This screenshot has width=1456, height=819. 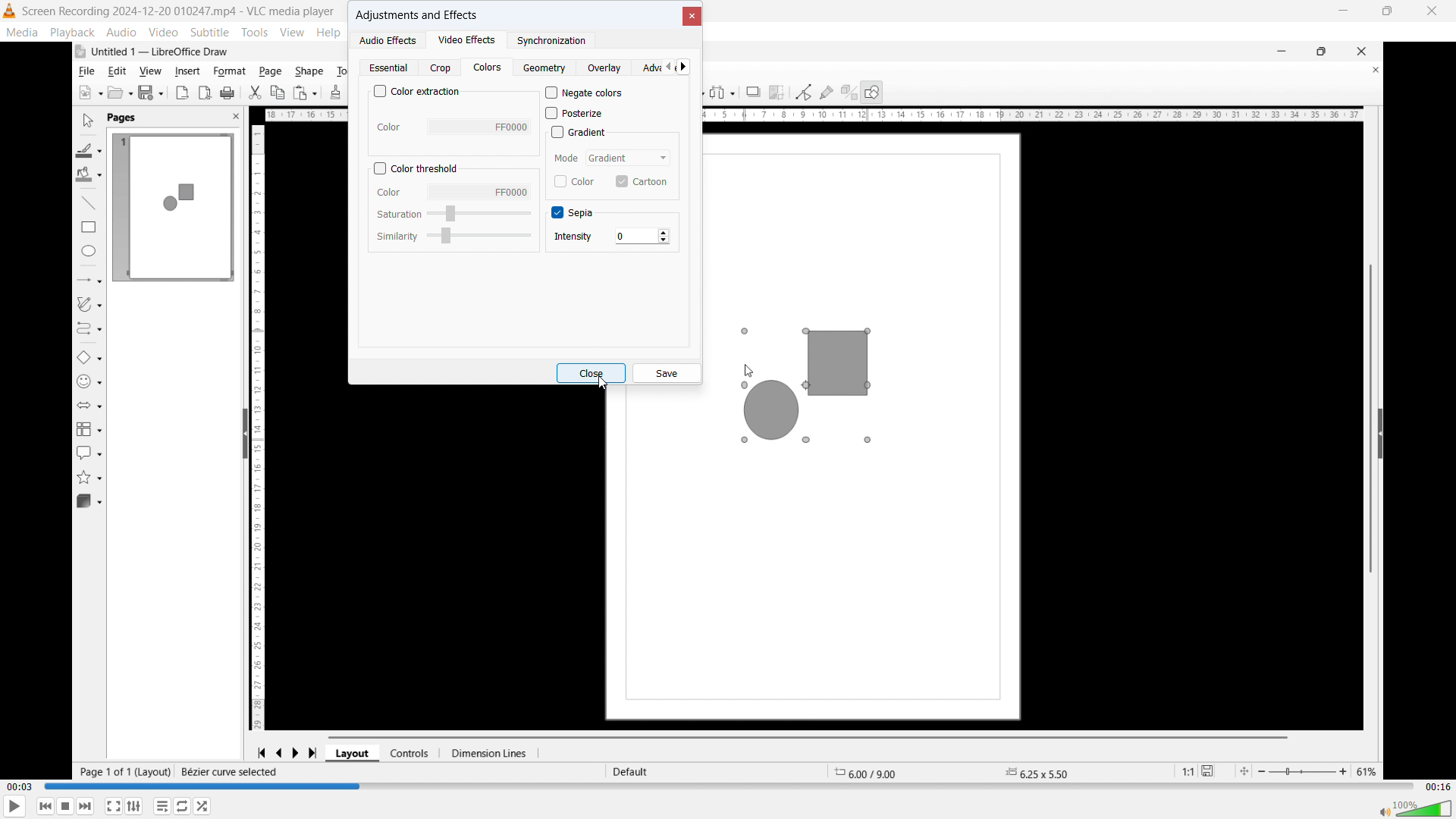 What do you see at coordinates (114, 806) in the screenshot?
I see `Full screen` at bounding box center [114, 806].